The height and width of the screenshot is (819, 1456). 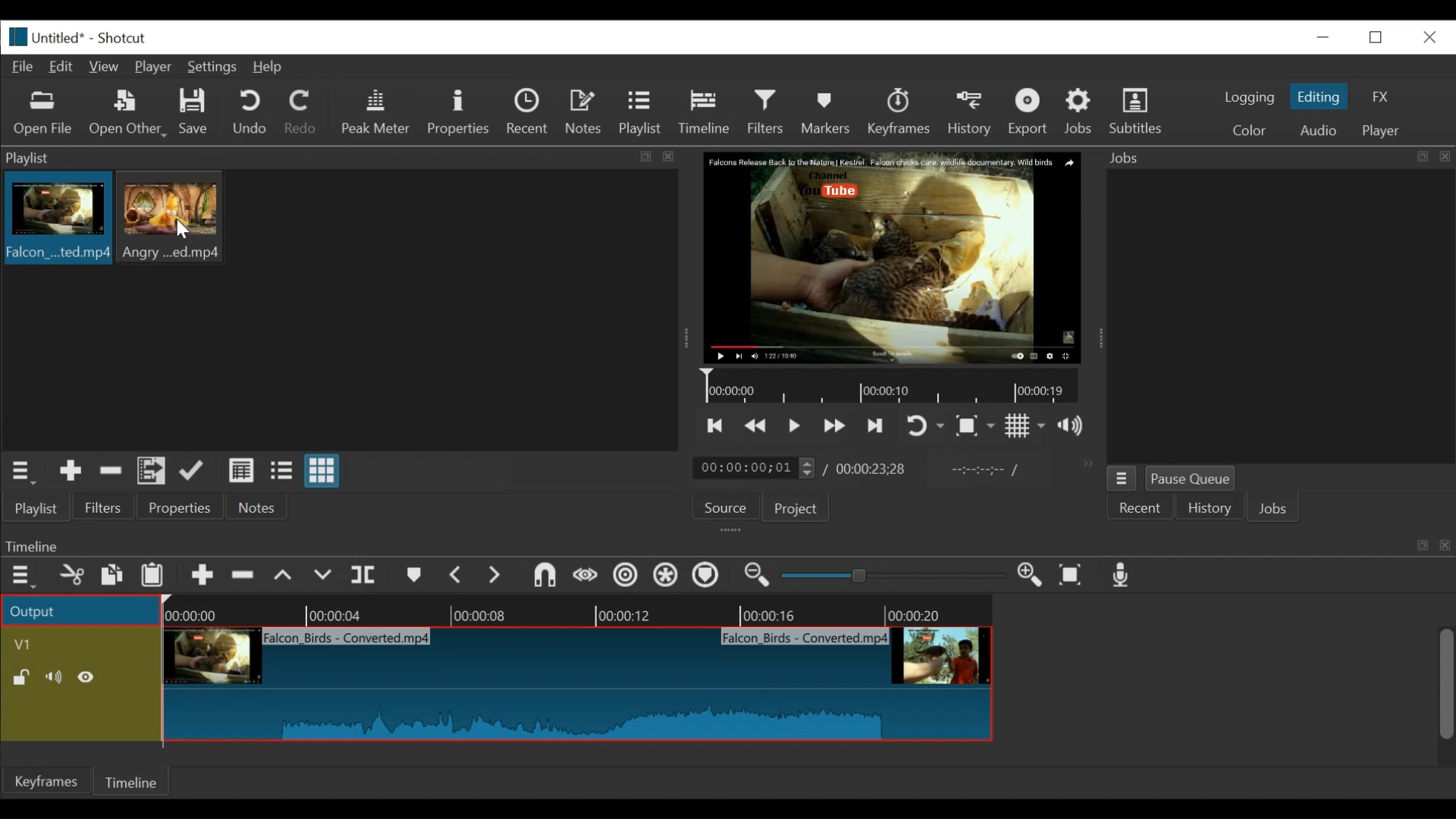 What do you see at coordinates (1248, 97) in the screenshot?
I see `logging` at bounding box center [1248, 97].